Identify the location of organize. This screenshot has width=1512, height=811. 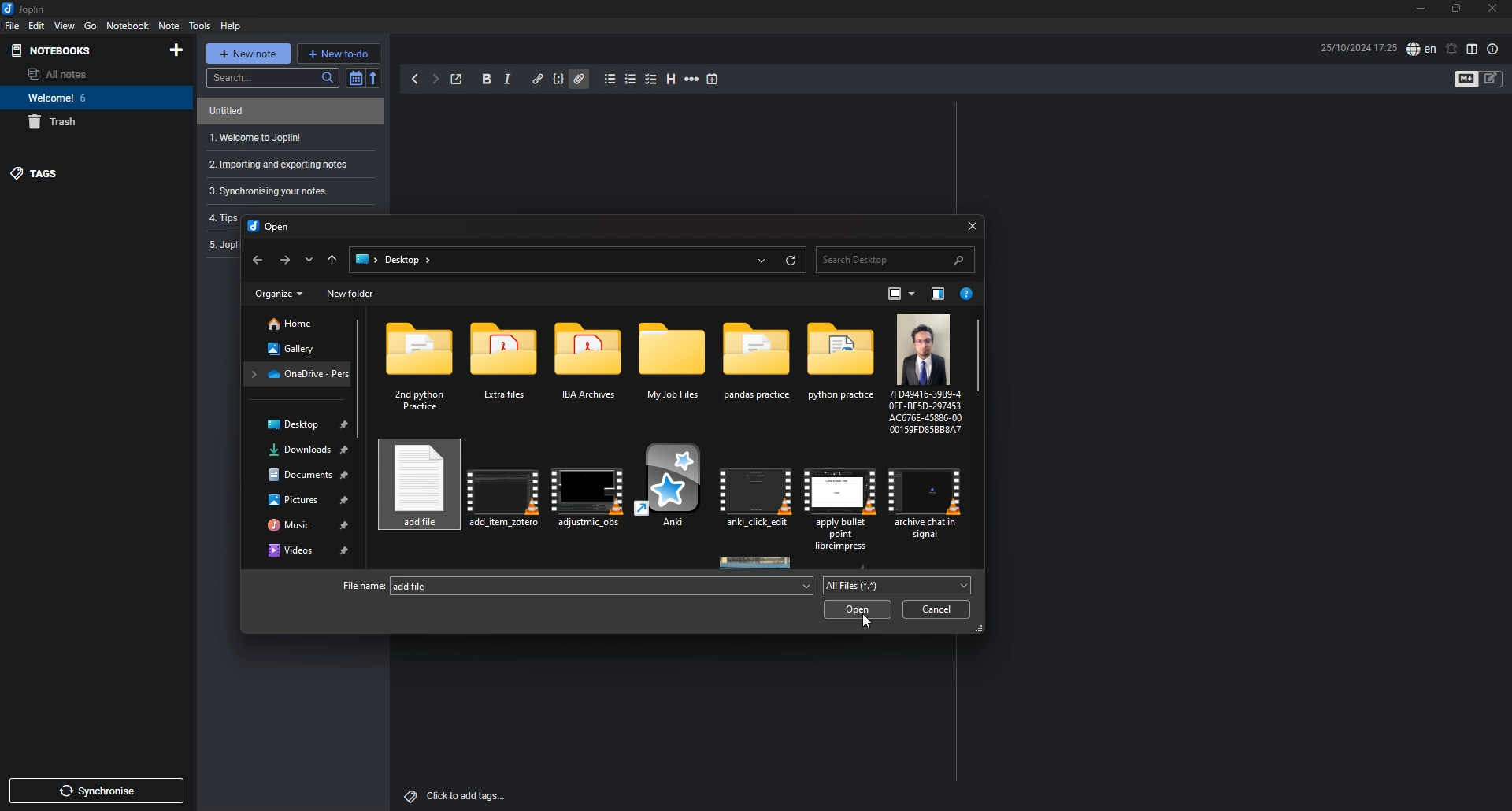
(279, 294).